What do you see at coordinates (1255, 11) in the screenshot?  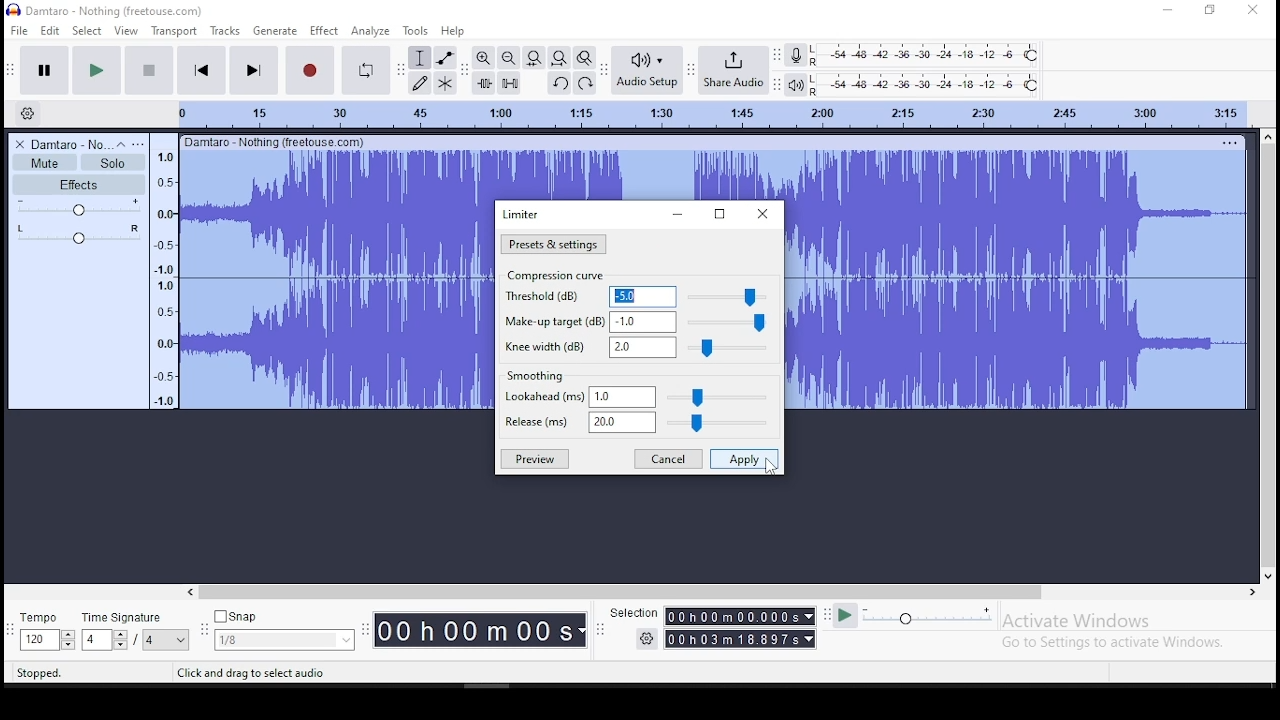 I see `close window` at bounding box center [1255, 11].